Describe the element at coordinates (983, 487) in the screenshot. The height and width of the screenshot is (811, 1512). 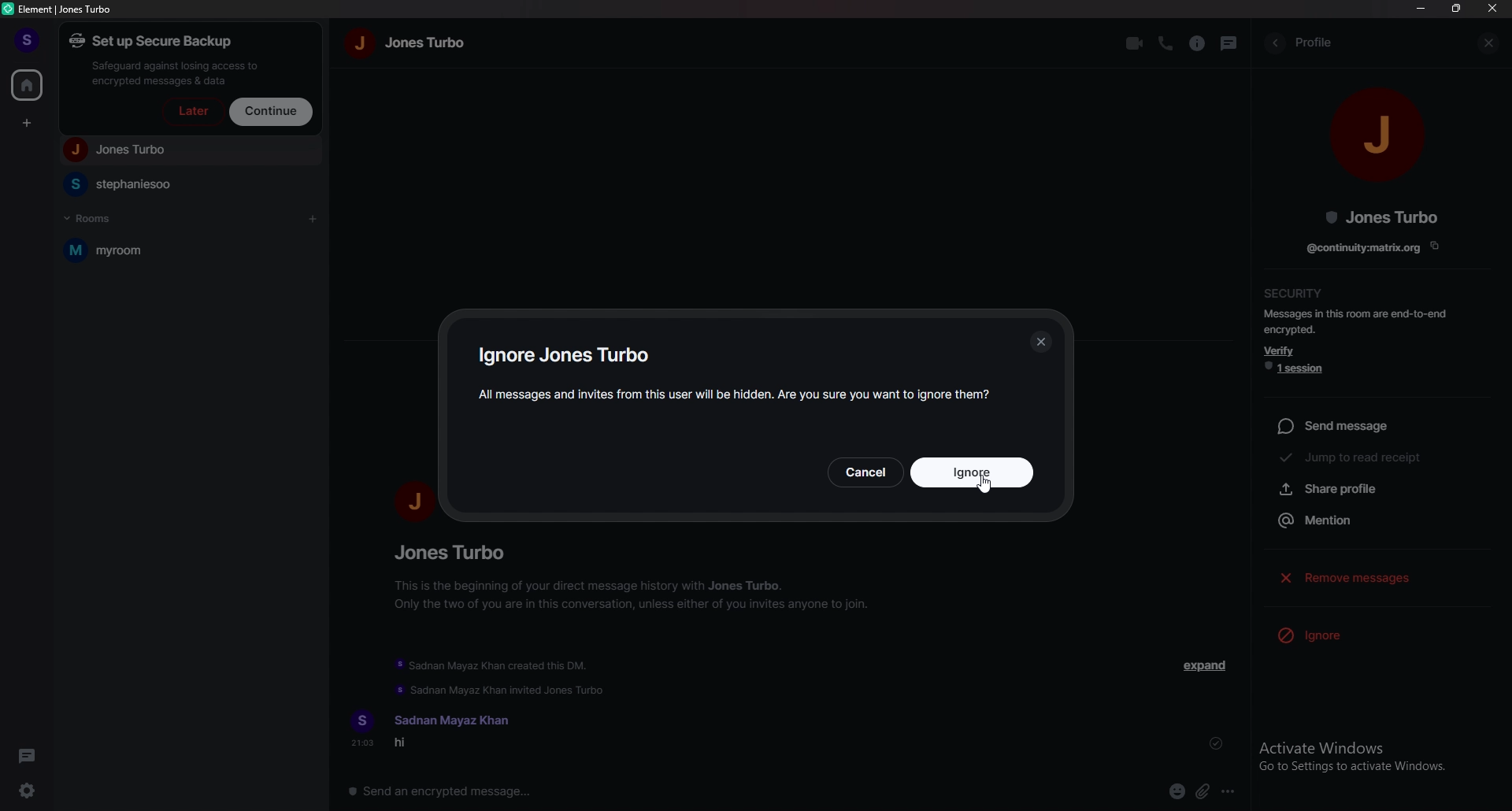
I see `cursor` at that location.